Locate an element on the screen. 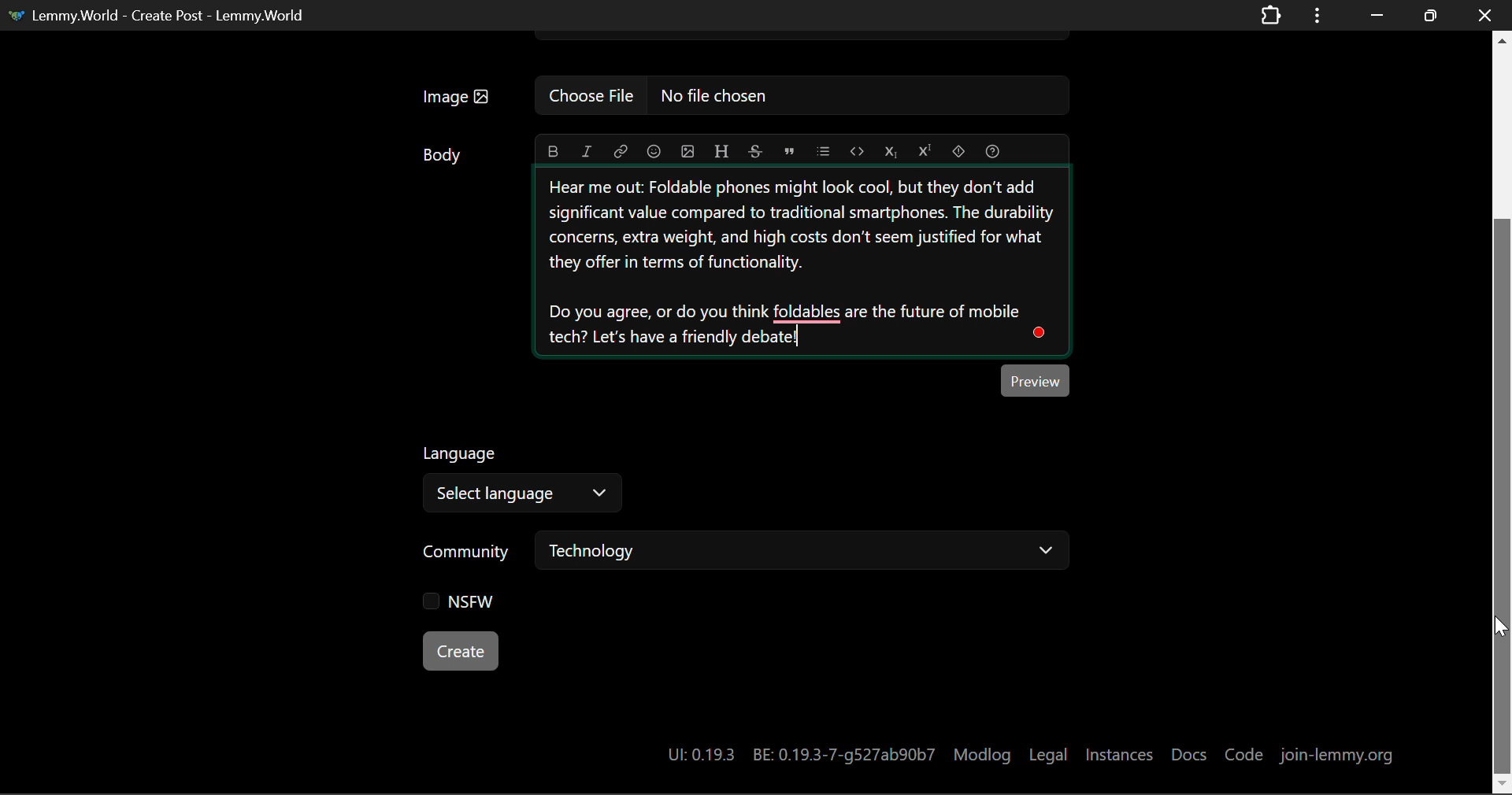 The width and height of the screenshot is (1512, 795). emoji is located at coordinates (656, 152).